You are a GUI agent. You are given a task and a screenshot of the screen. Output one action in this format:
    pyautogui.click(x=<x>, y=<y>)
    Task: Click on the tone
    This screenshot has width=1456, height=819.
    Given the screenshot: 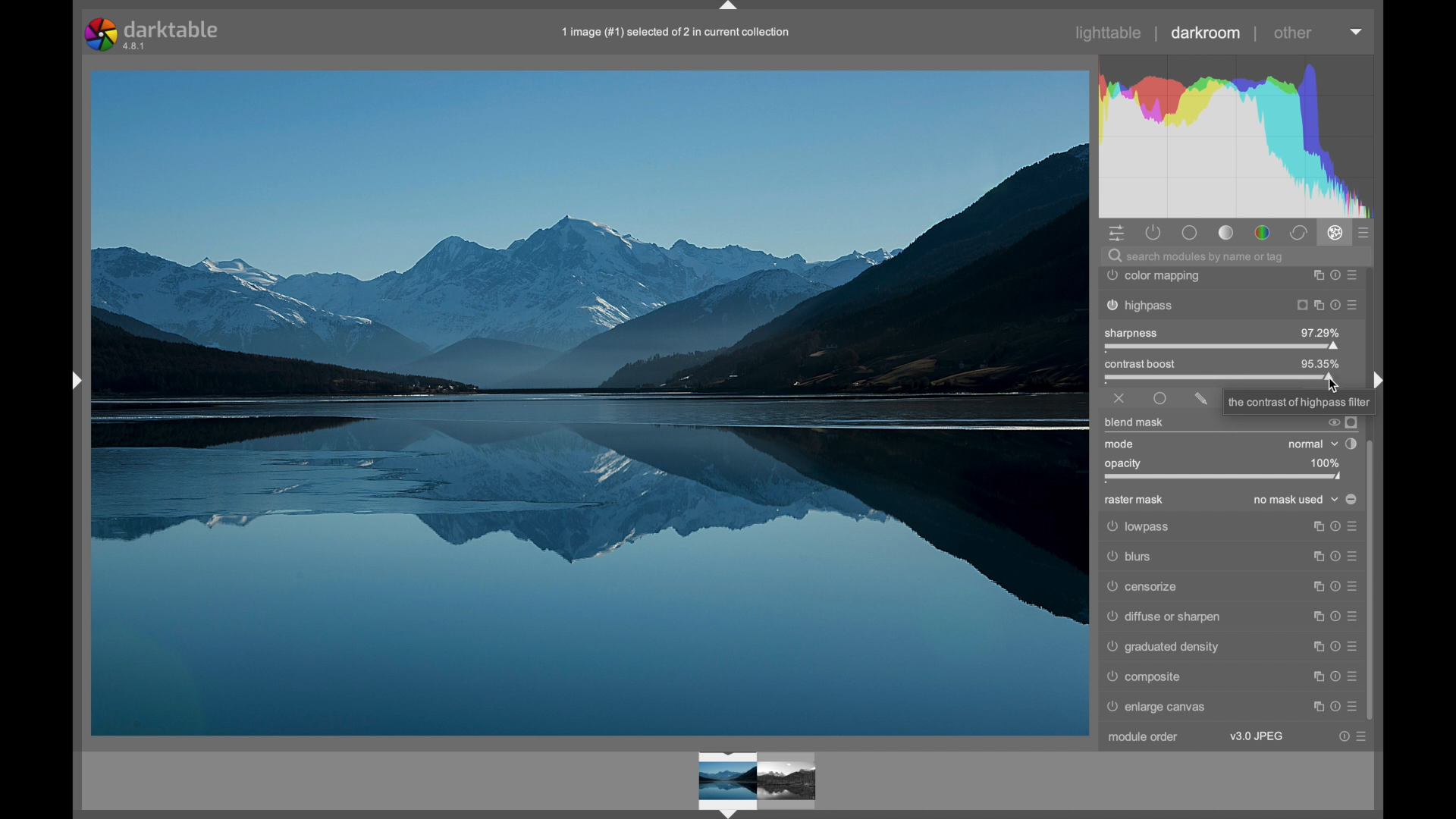 What is the action you would take?
    pyautogui.click(x=1227, y=233)
    